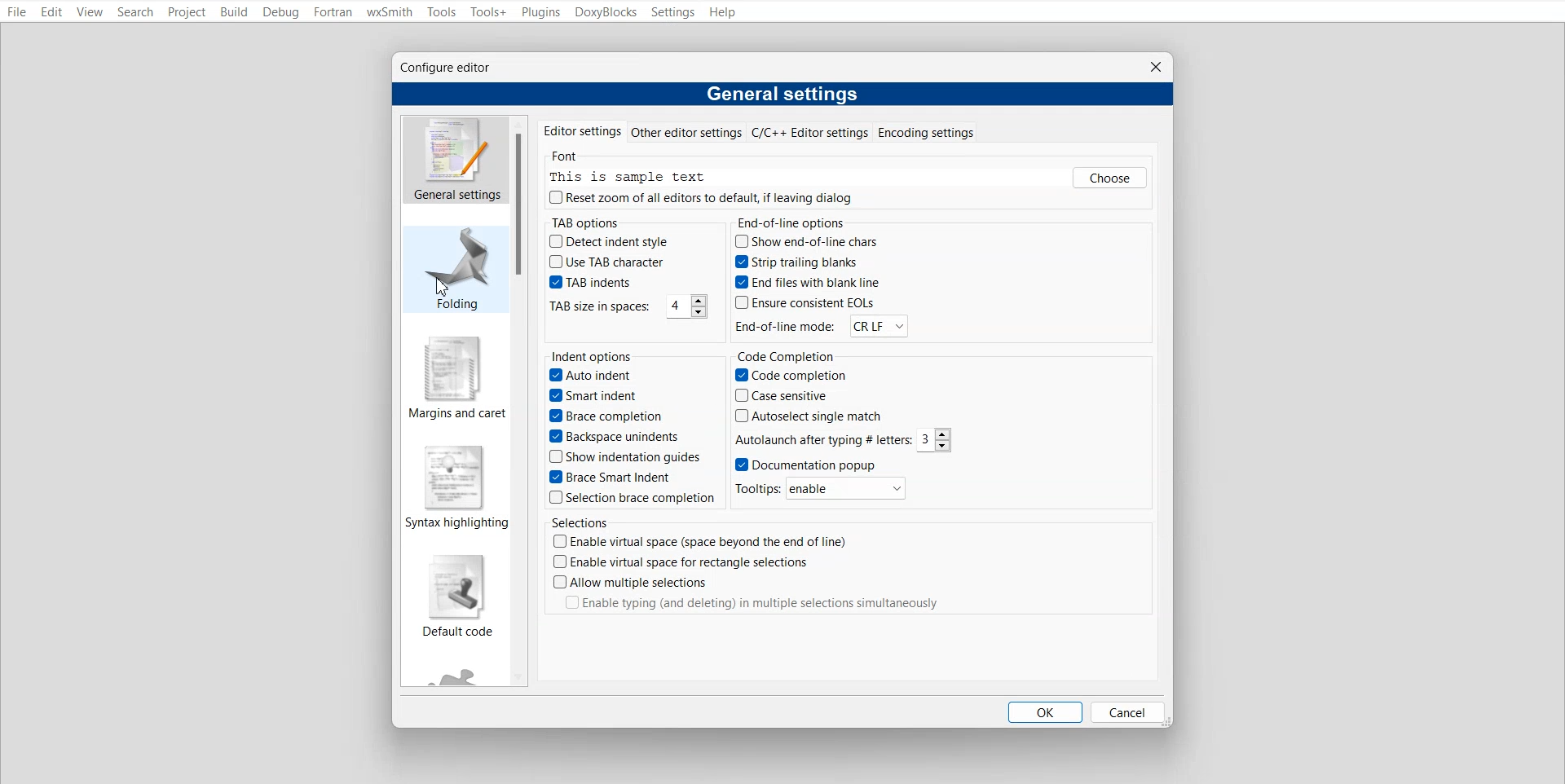 The width and height of the screenshot is (1565, 784). I want to click on 4, so click(682, 307).